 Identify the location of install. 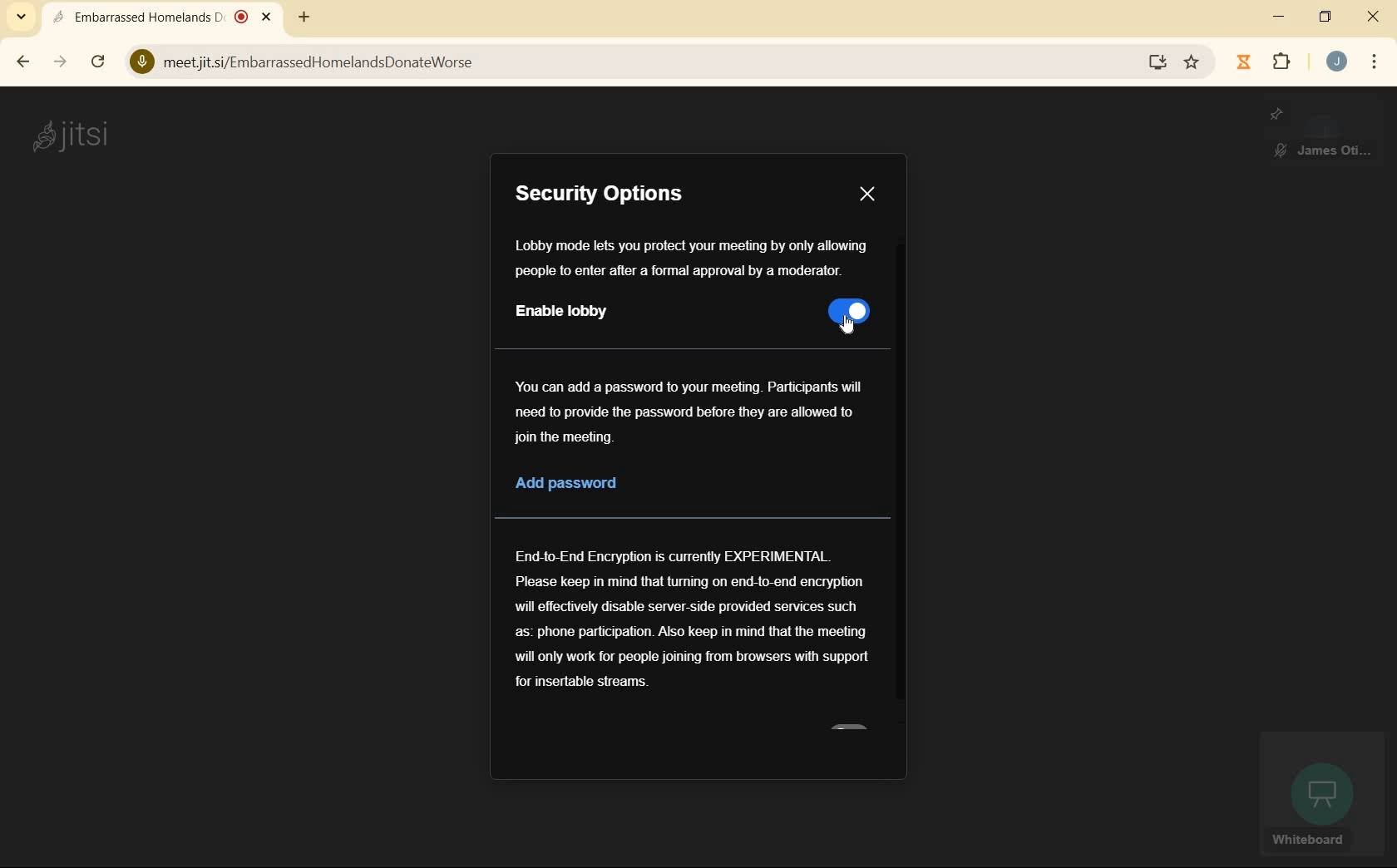
(1159, 62).